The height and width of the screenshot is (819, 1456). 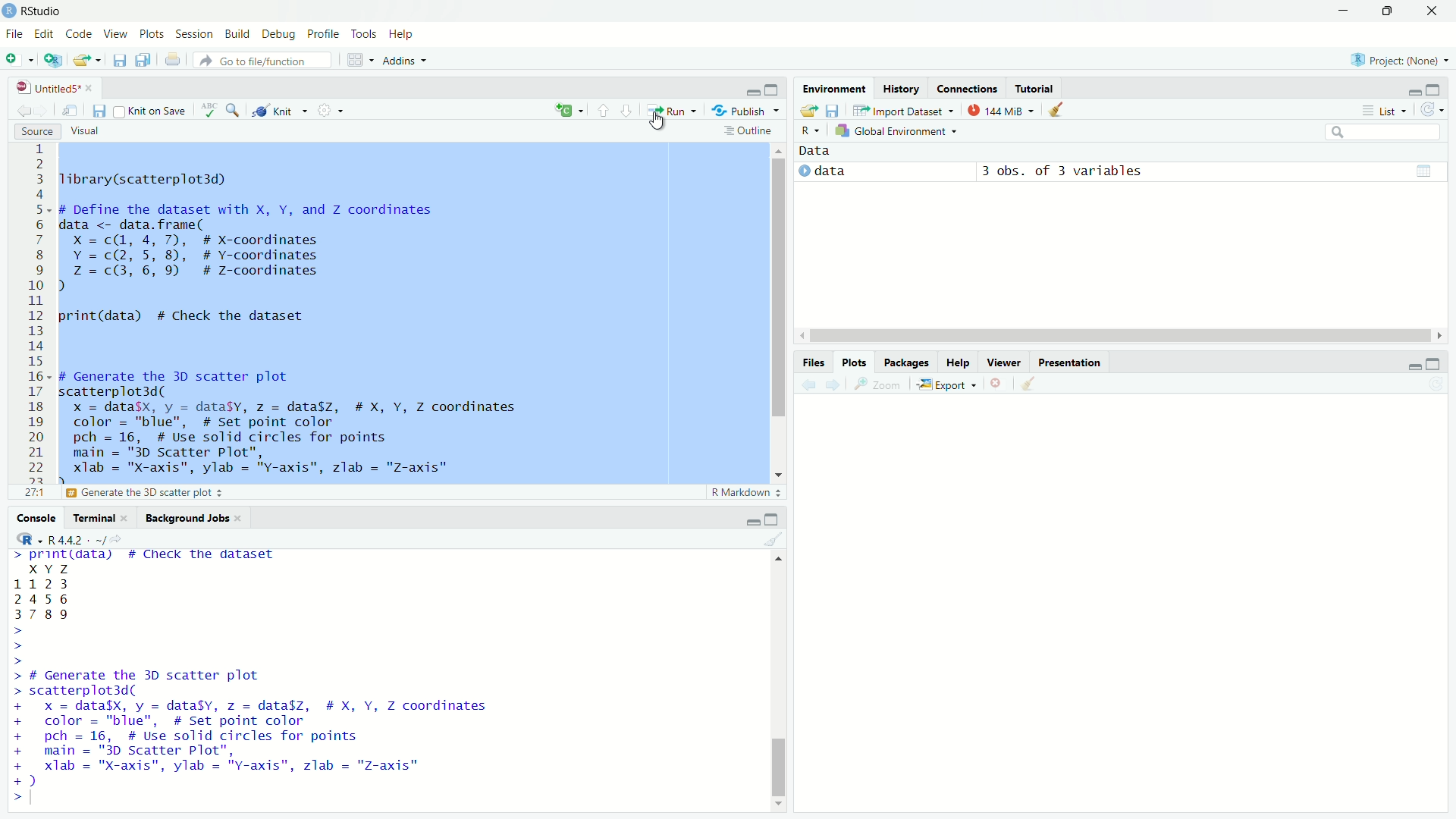 What do you see at coordinates (330, 109) in the screenshot?
I see `settings` at bounding box center [330, 109].